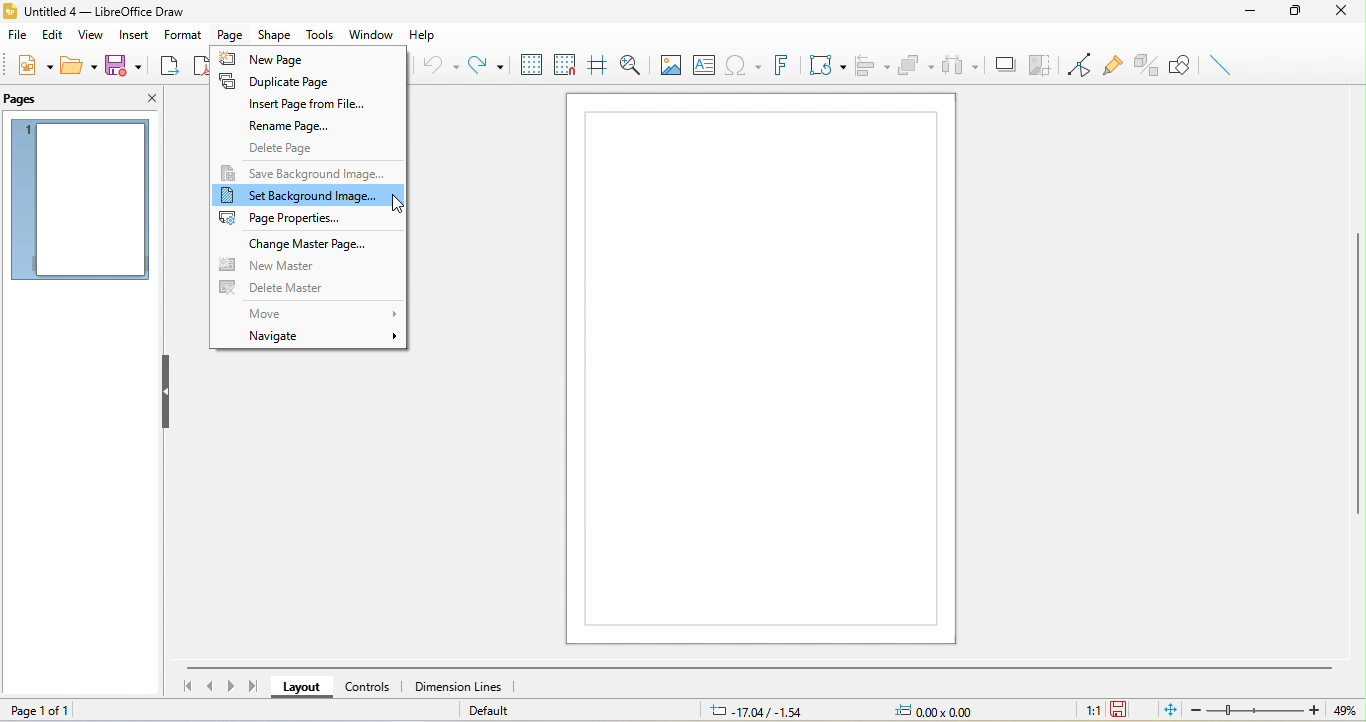 The image size is (1366, 722). What do you see at coordinates (762, 709) in the screenshot?
I see `-17.04/-1.54` at bounding box center [762, 709].